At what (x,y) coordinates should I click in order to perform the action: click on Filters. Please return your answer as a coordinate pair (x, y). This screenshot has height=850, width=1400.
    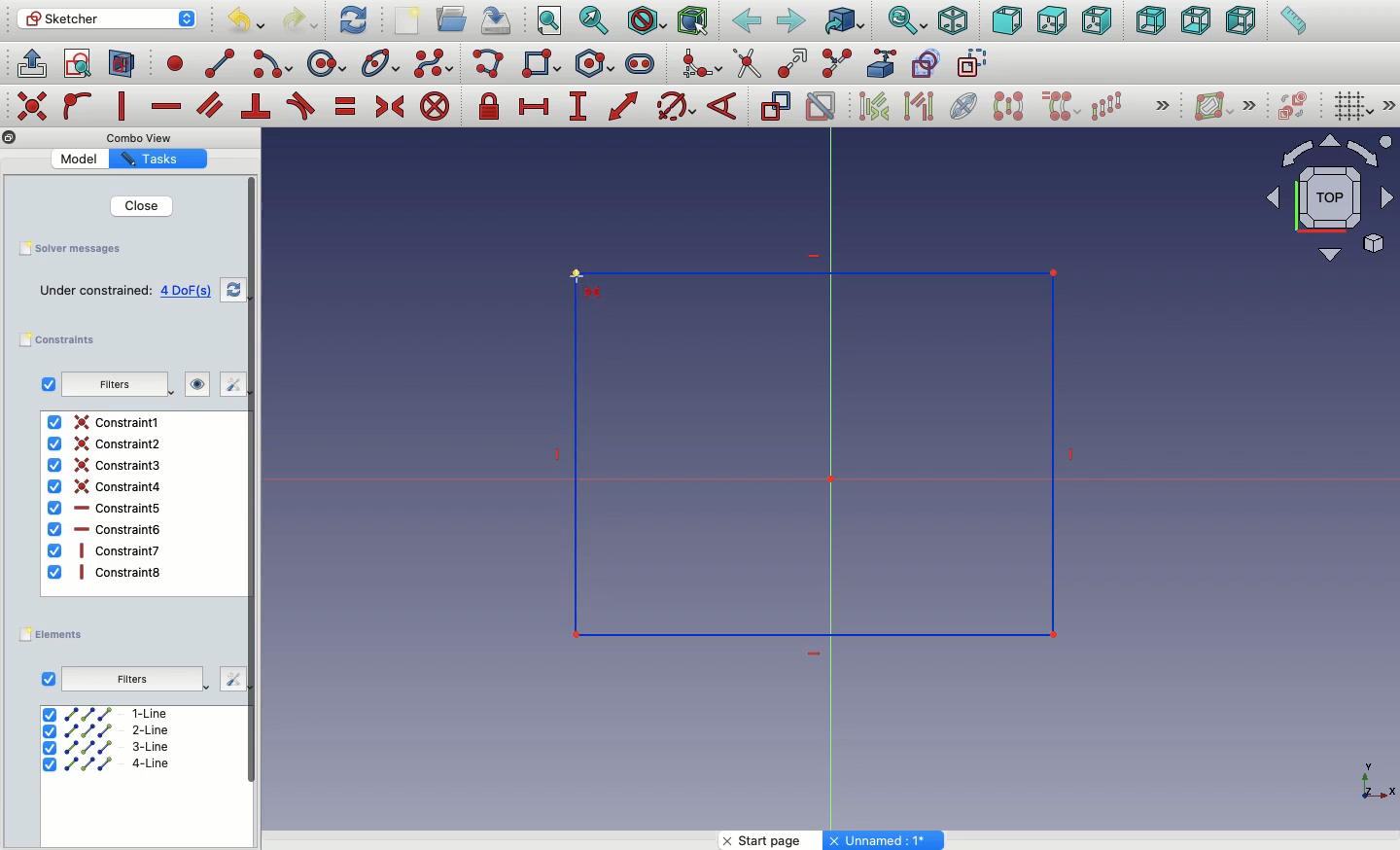
    Looking at the image, I should click on (131, 680).